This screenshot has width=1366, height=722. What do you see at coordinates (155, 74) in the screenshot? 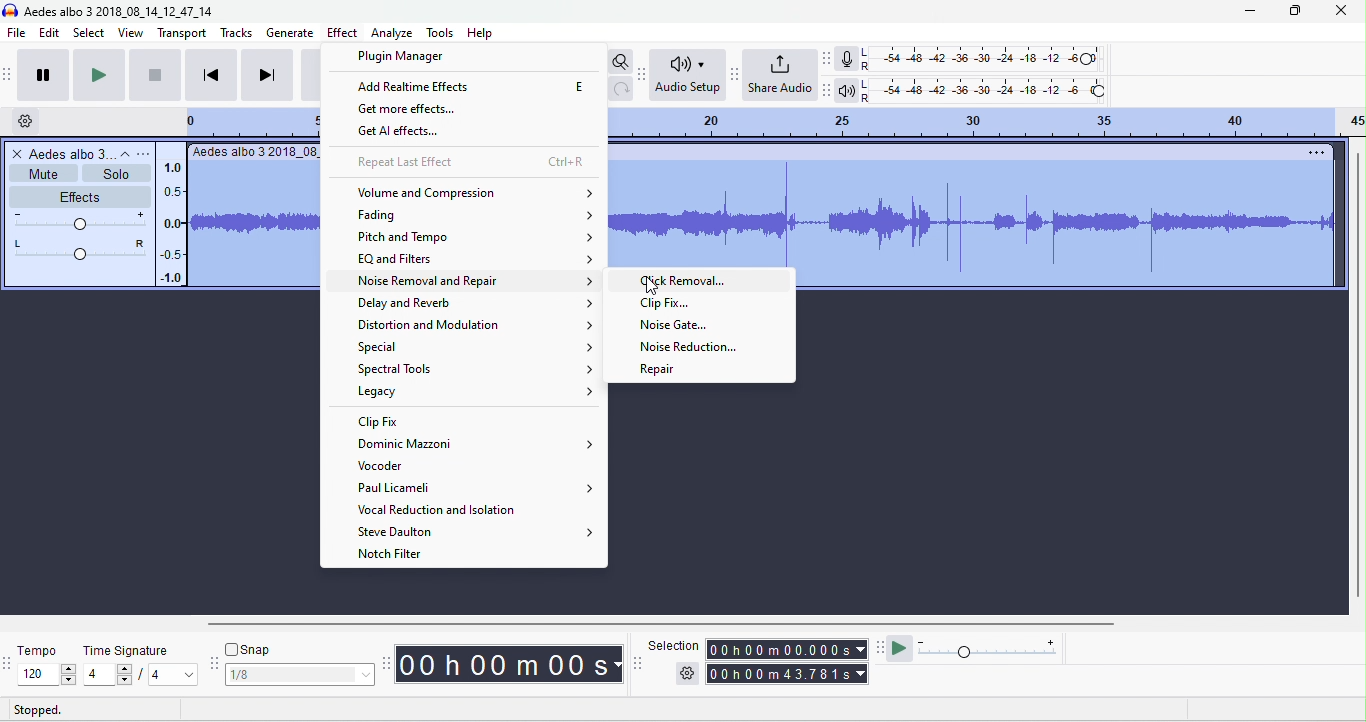
I see `stop` at bounding box center [155, 74].